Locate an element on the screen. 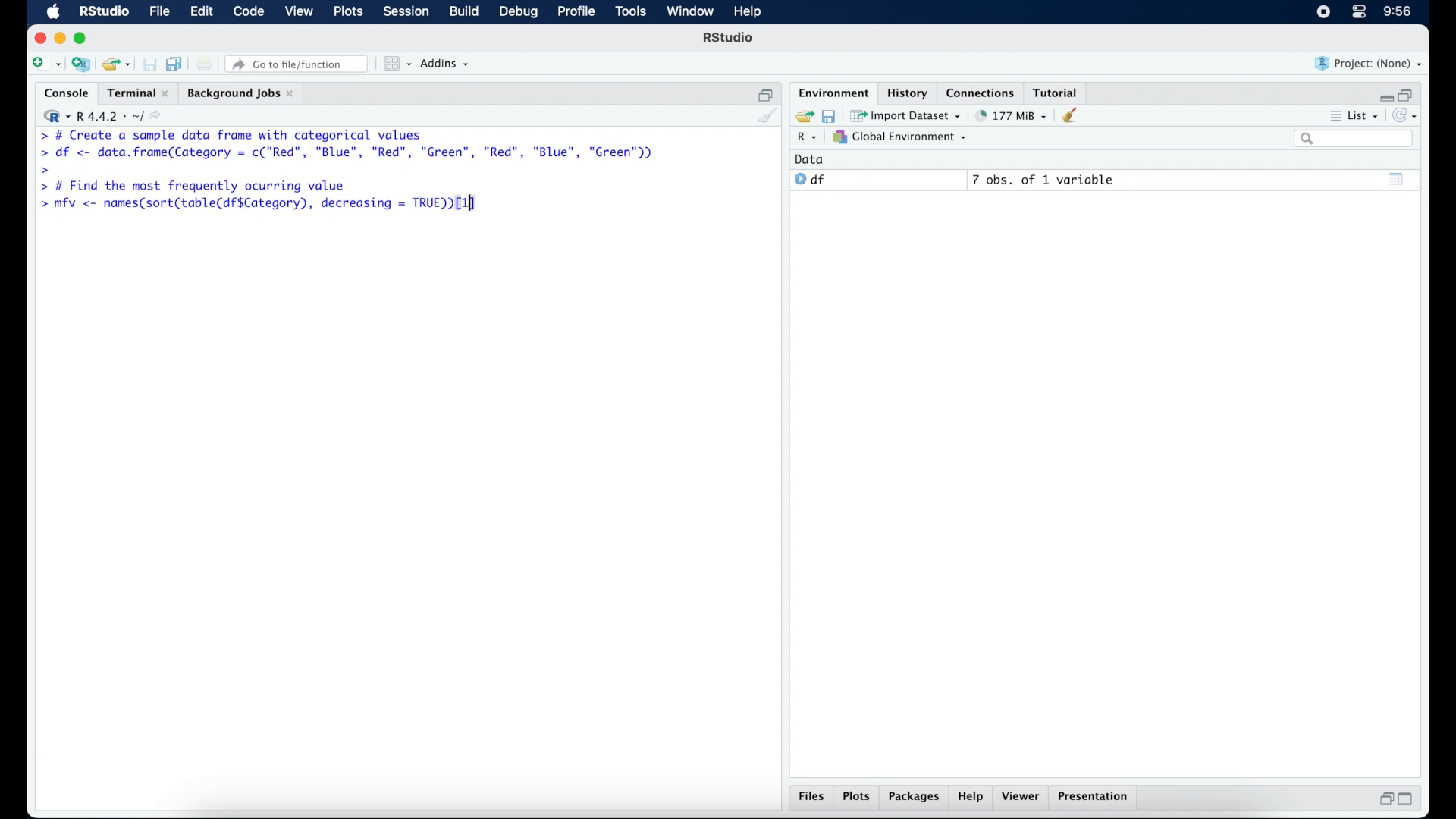 The width and height of the screenshot is (1456, 819). command prompt is located at coordinates (38, 135).